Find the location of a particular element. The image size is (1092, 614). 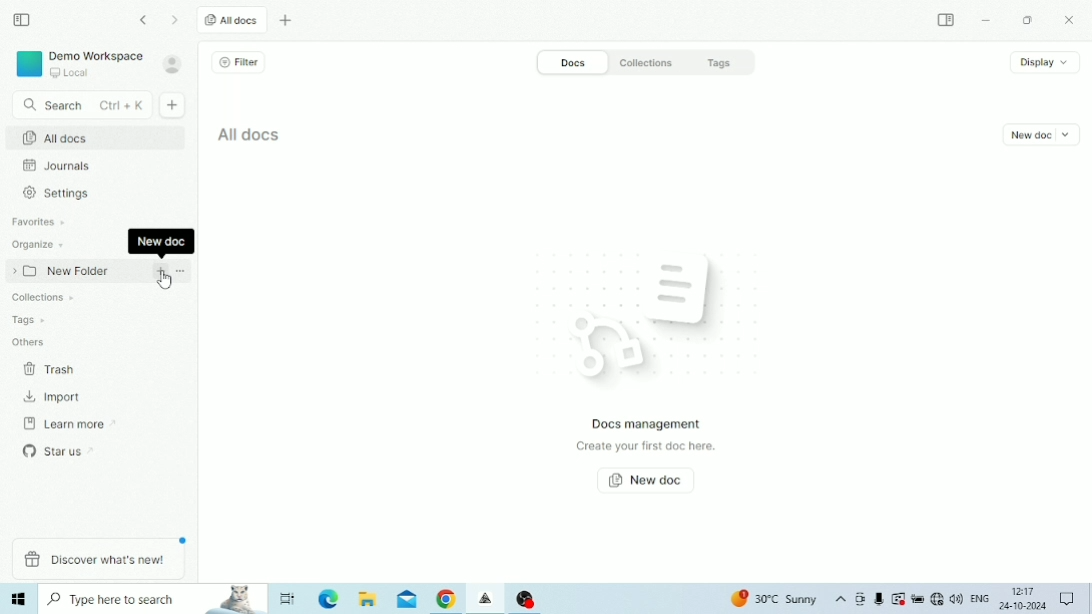

Go back is located at coordinates (146, 20).